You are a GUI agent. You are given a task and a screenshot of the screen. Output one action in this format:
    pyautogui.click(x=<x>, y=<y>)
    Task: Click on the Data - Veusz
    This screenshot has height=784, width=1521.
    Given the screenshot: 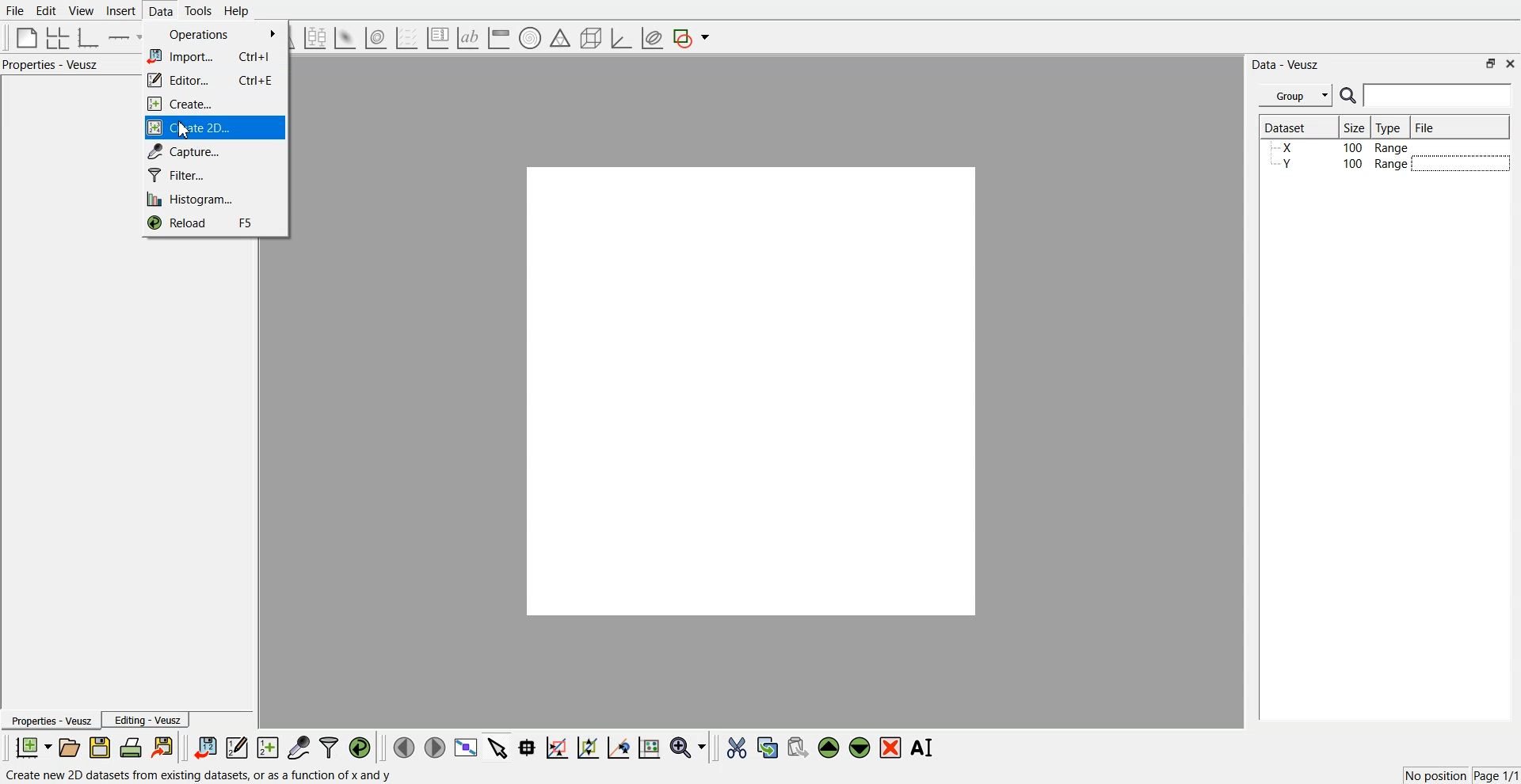 What is the action you would take?
    pyautogui.click(x=1285, y=65)
    